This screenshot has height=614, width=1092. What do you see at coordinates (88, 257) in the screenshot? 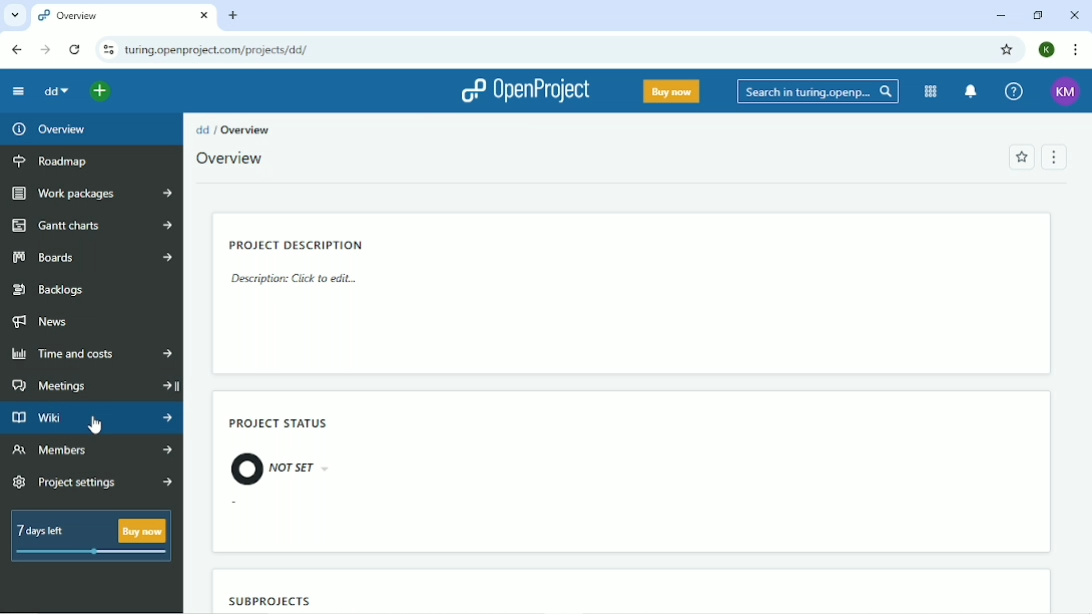
I see `Boards` at bounding box center [88, 257].